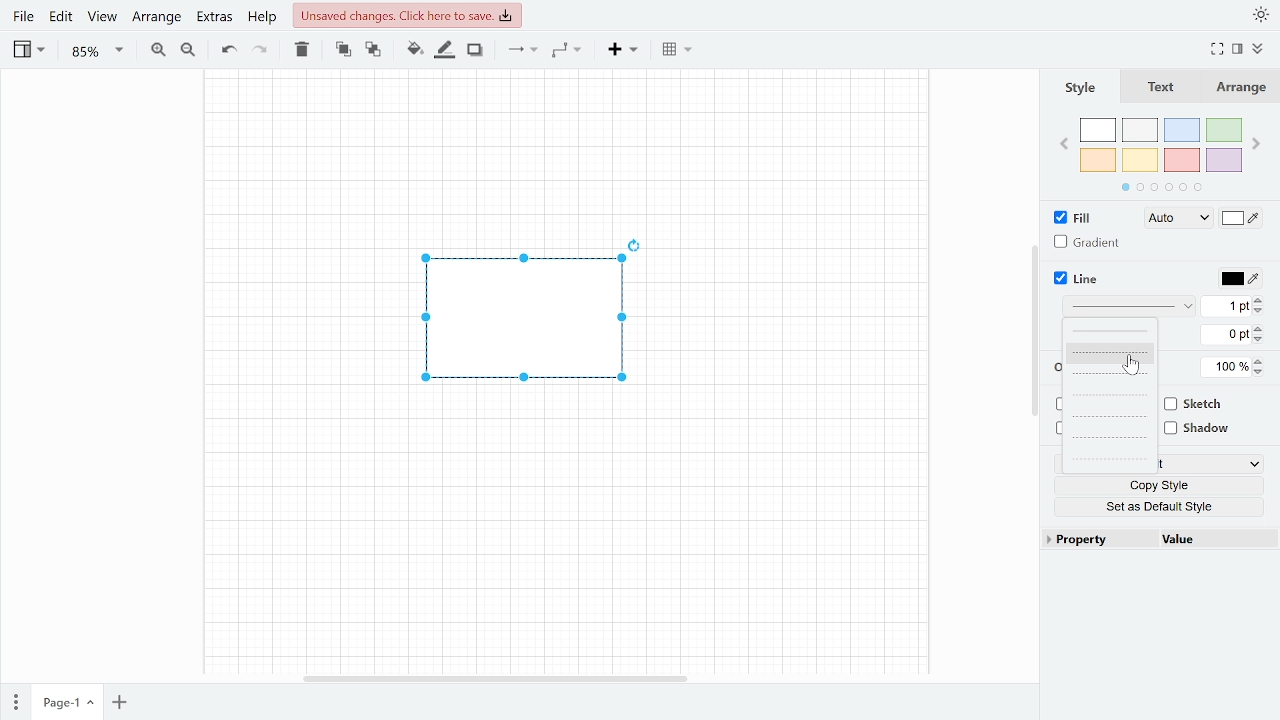  What do you see at coordinates (1203, 428) in the screenshot?
I see `Shadow` at bounding box center [1203, 428].